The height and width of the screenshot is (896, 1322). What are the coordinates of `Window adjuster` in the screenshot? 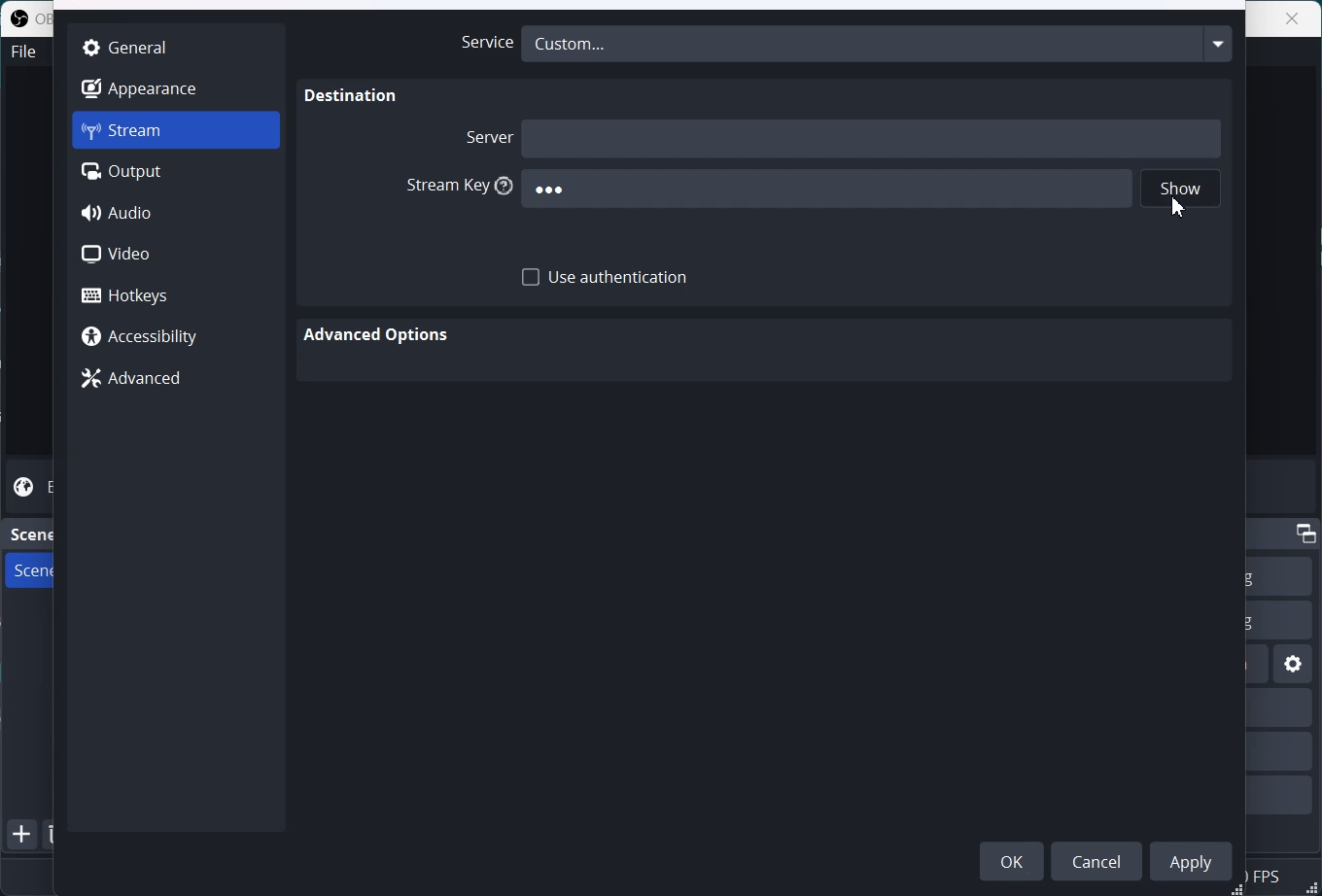 It's located at (1238, 889).